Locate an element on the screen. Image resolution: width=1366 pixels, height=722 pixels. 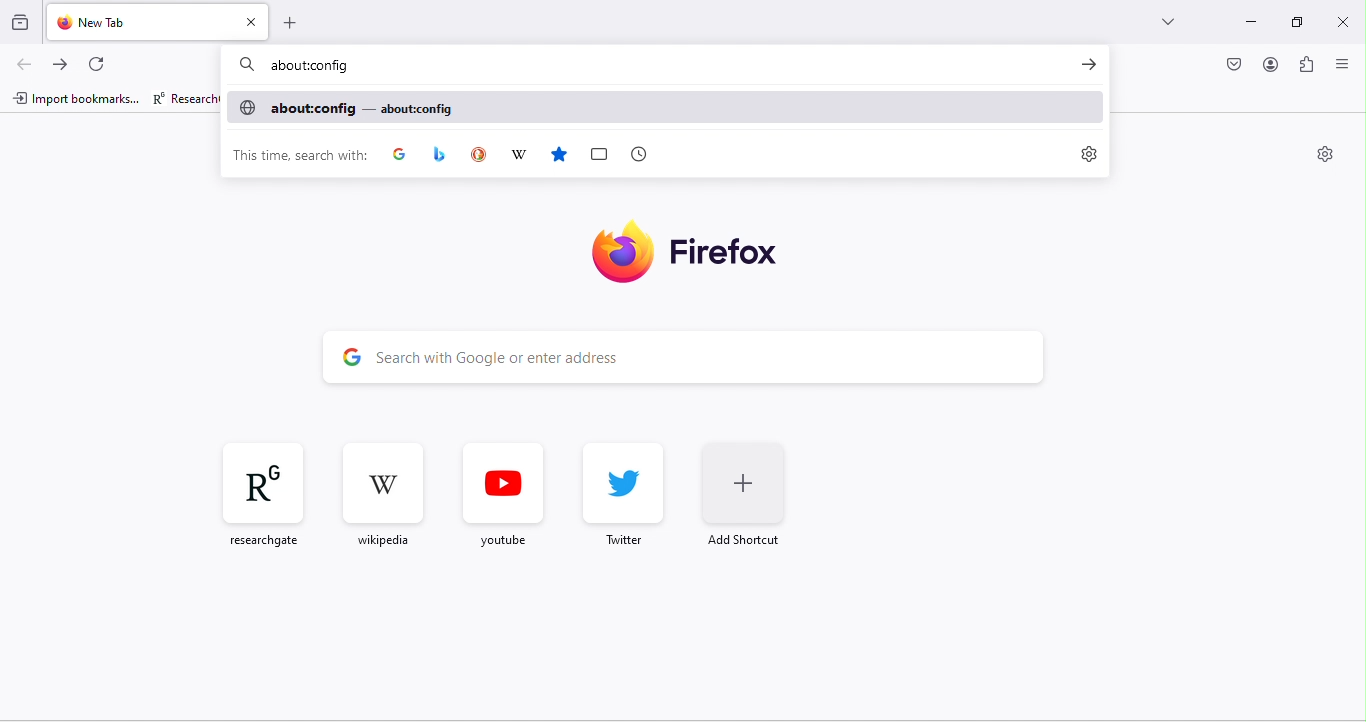
pocket is located at coordinates (1235, 63).